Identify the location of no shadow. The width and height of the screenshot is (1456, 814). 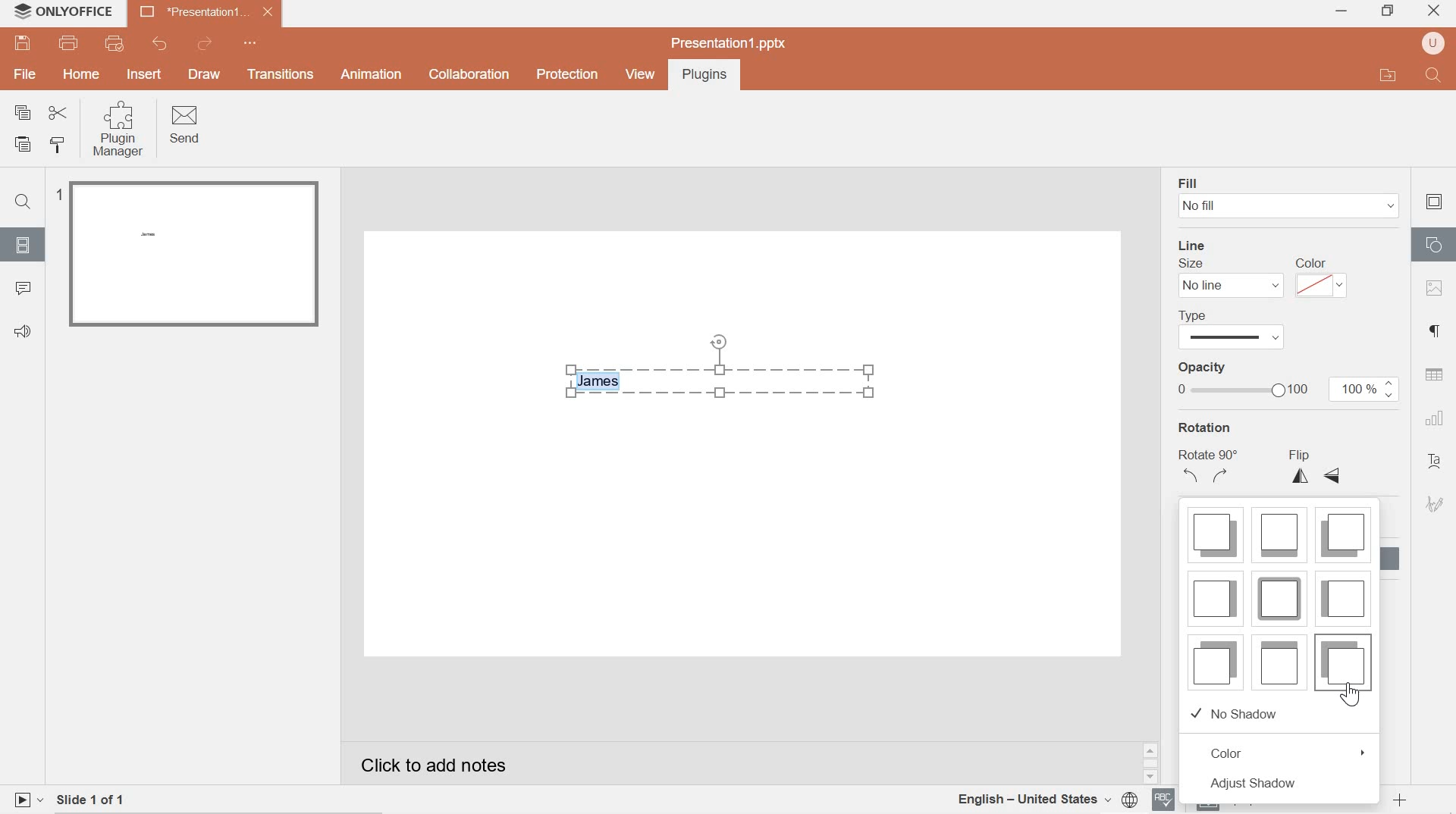
(1234, 714).